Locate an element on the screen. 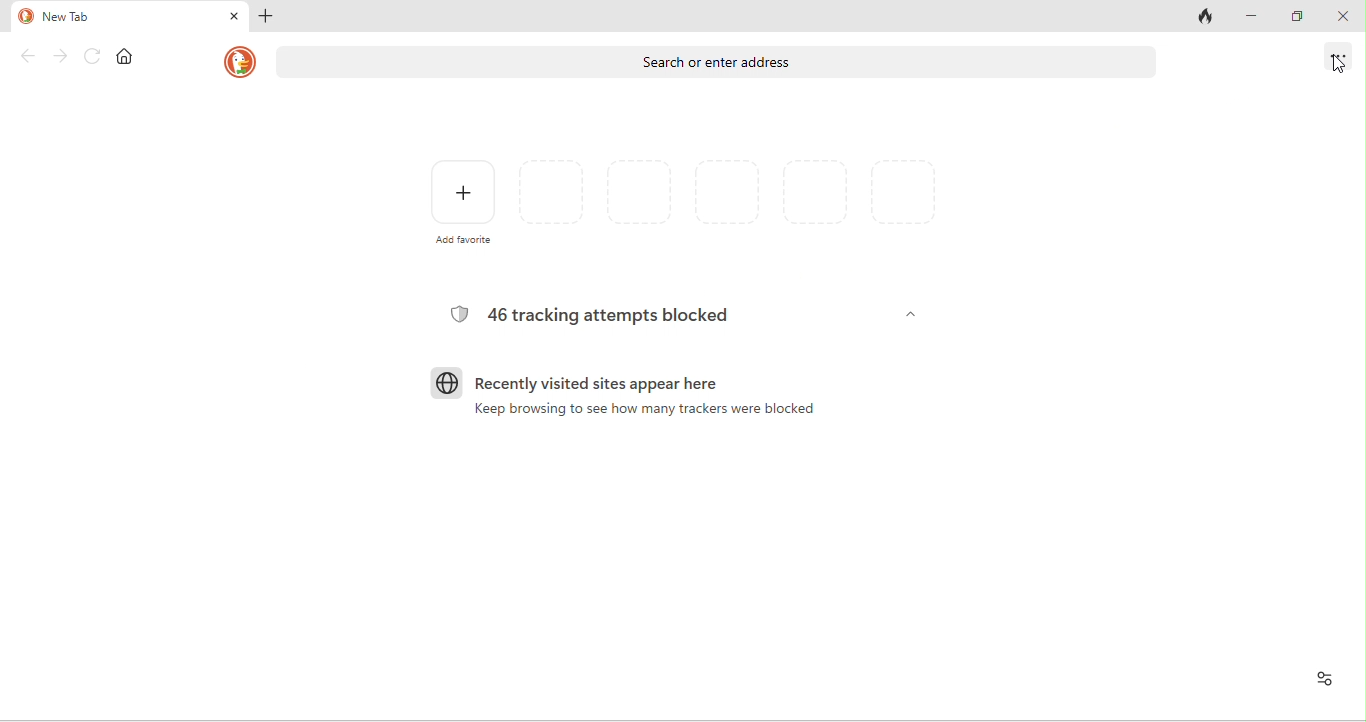  duck duck go logo is located at coordinates (240, 59).